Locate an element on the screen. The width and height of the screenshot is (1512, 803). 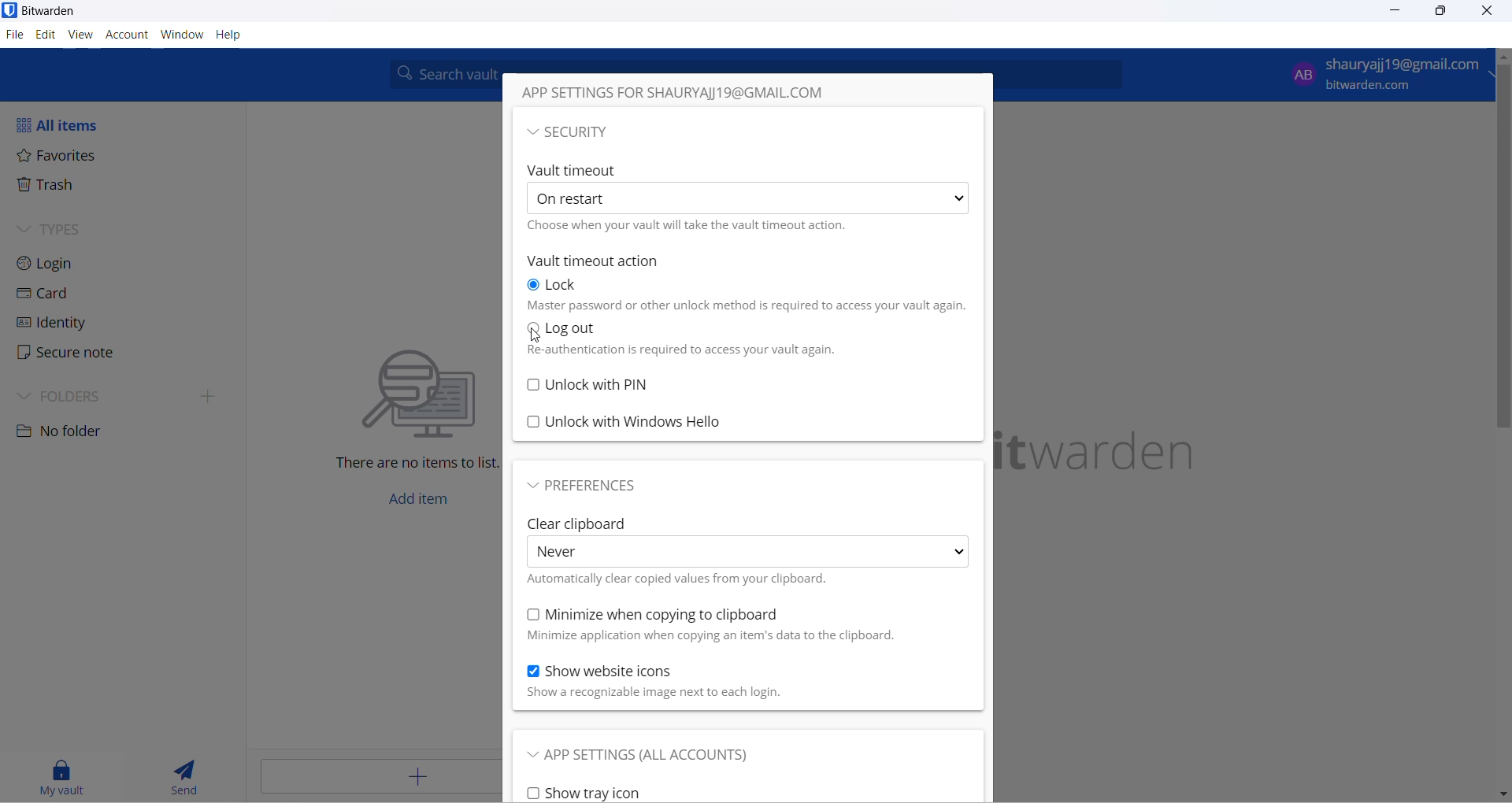
search box is located at coordinates (441, 74).